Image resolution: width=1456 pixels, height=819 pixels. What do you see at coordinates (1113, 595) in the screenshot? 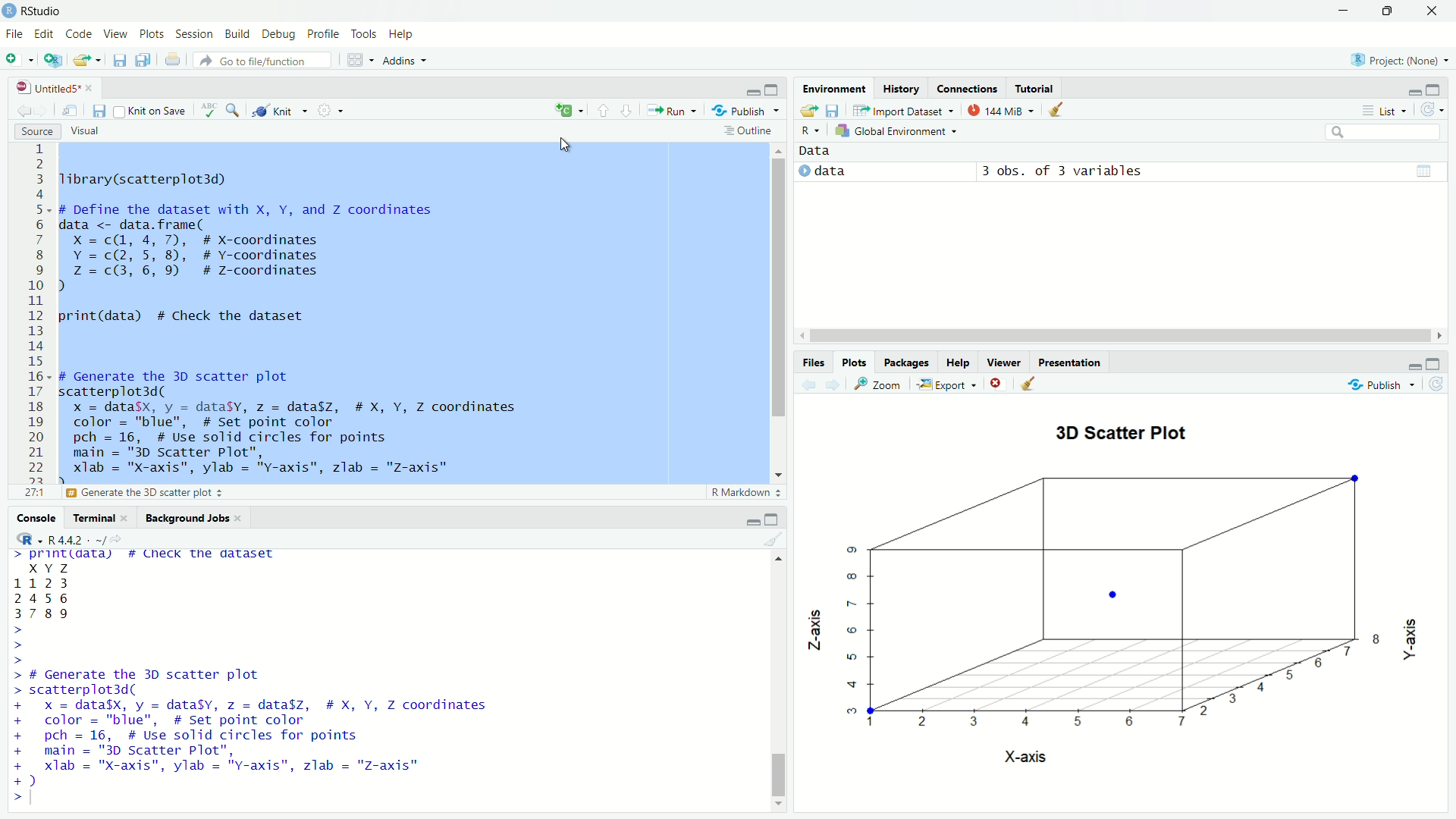
I see `3d plot area` at bounding box center [1113, 595].